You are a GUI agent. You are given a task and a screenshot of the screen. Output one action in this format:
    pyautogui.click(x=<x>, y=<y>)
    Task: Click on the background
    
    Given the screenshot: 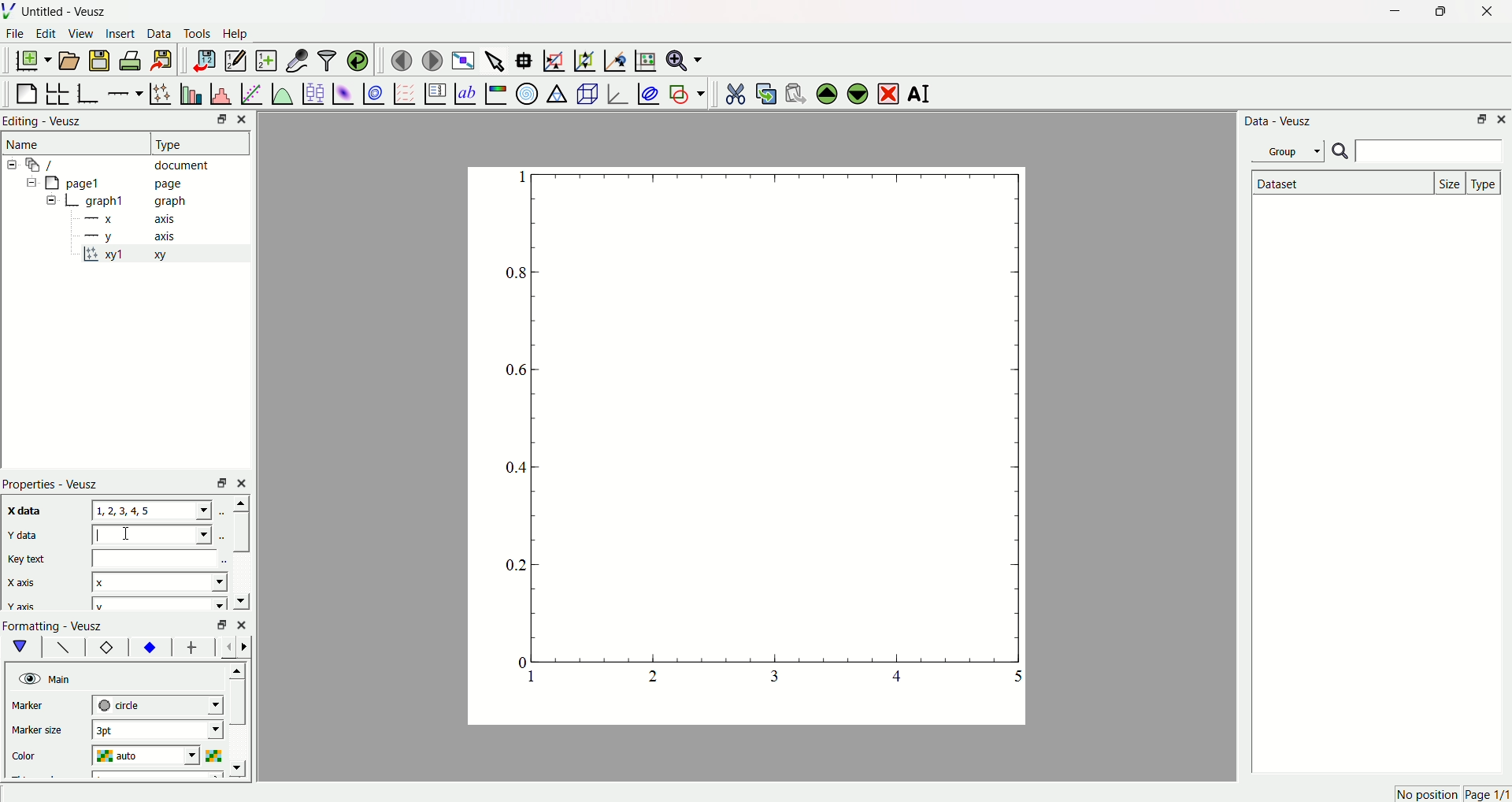 What is the action you would take?
    pyautogui.click(x=64, y=649)
    